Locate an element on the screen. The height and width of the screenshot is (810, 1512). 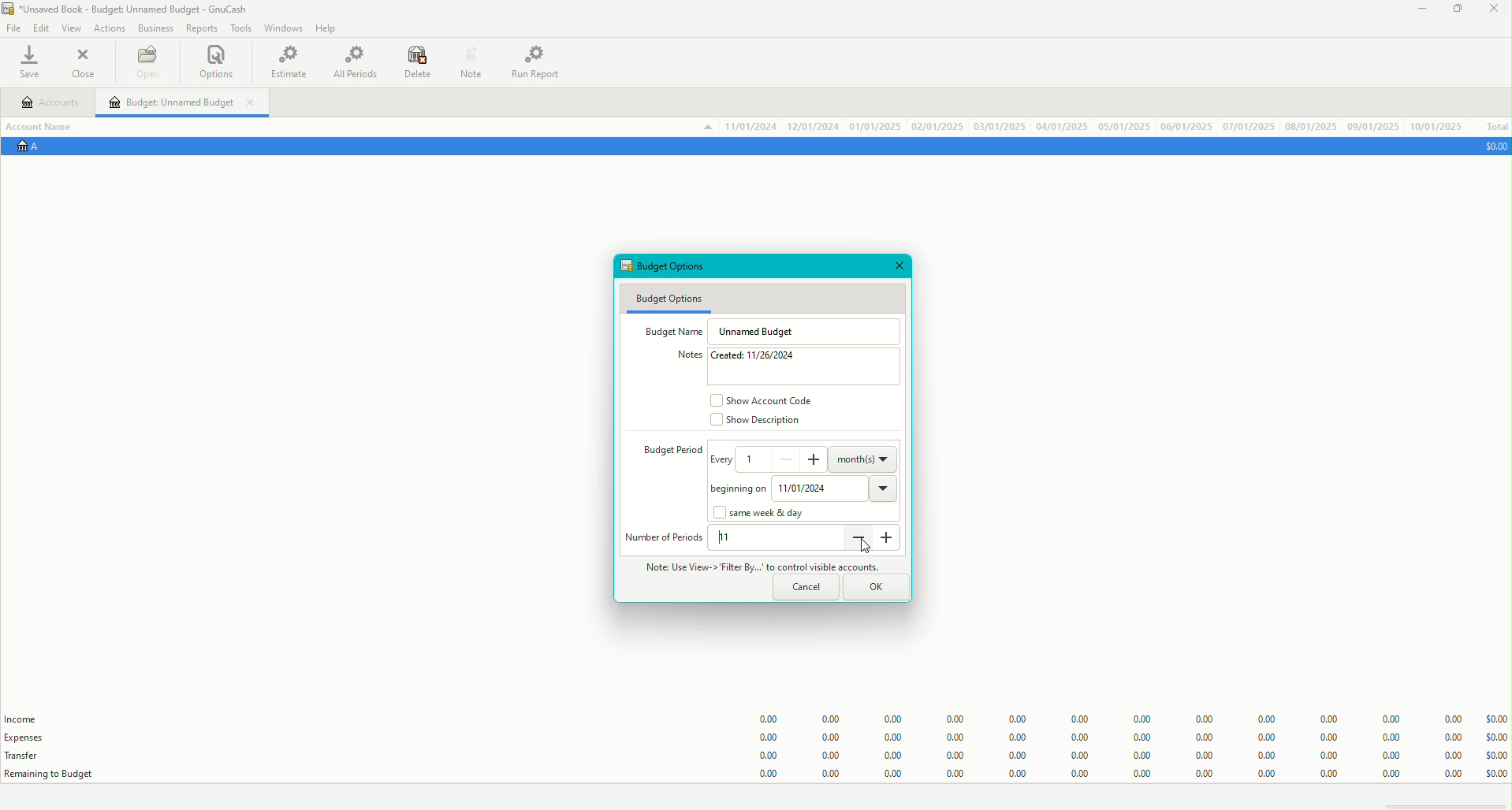
Save is located at coordinates (34, 64).